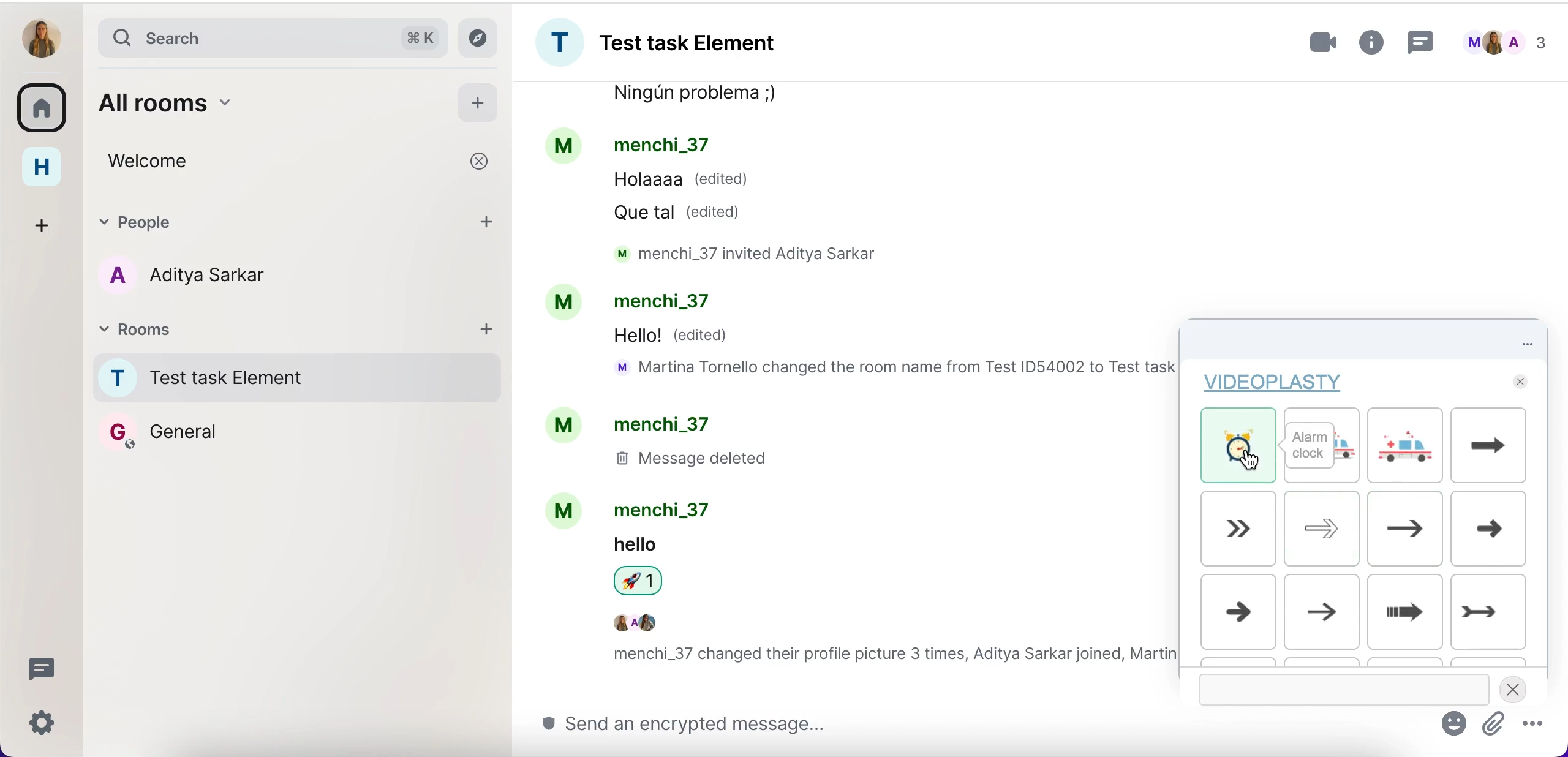  I want to click on gif7, so click(1407, 527).